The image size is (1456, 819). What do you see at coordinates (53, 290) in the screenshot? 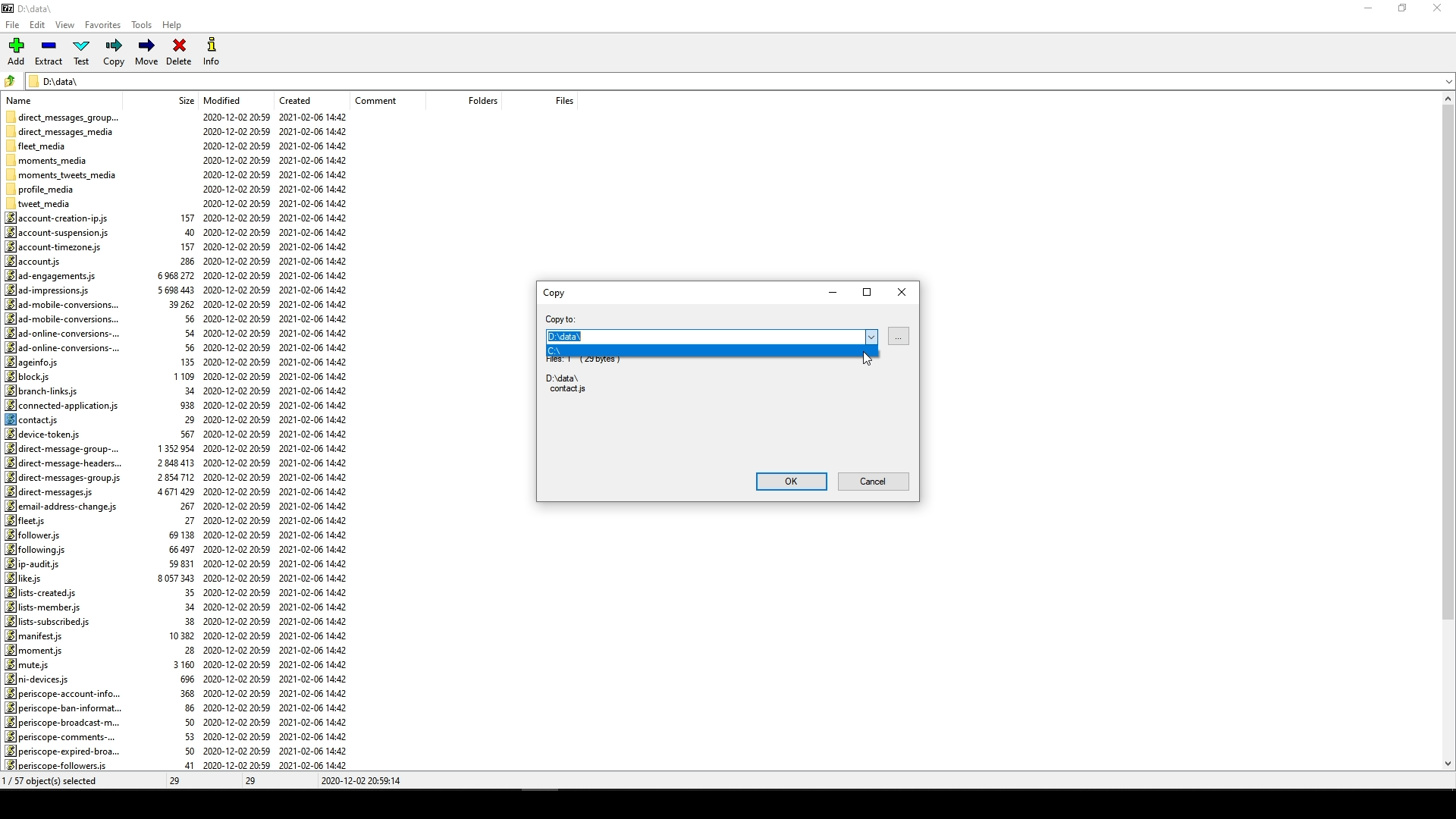
I see `ad-impressions.js` at bounding box center [53, 290].